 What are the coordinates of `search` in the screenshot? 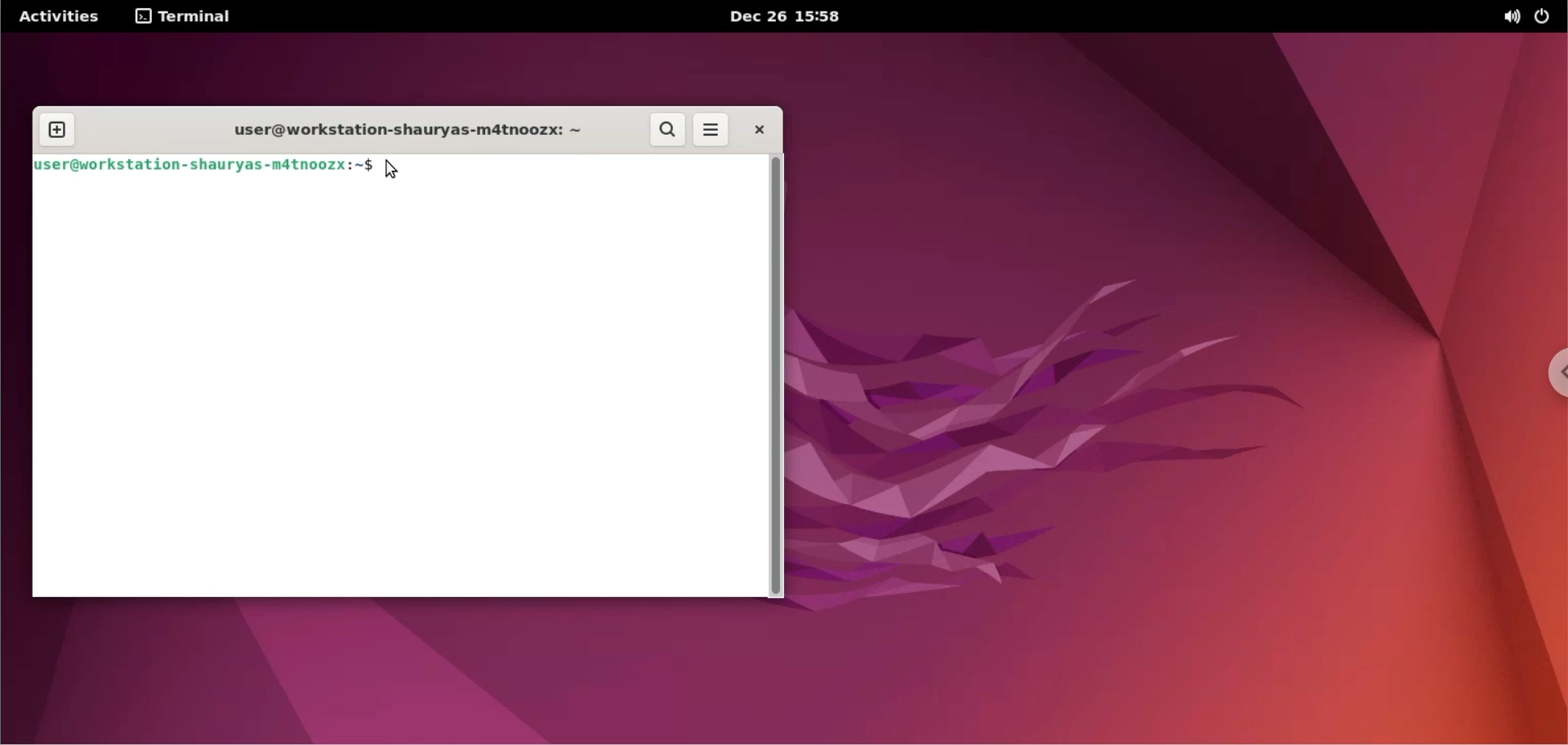 It's located at (669, 131).